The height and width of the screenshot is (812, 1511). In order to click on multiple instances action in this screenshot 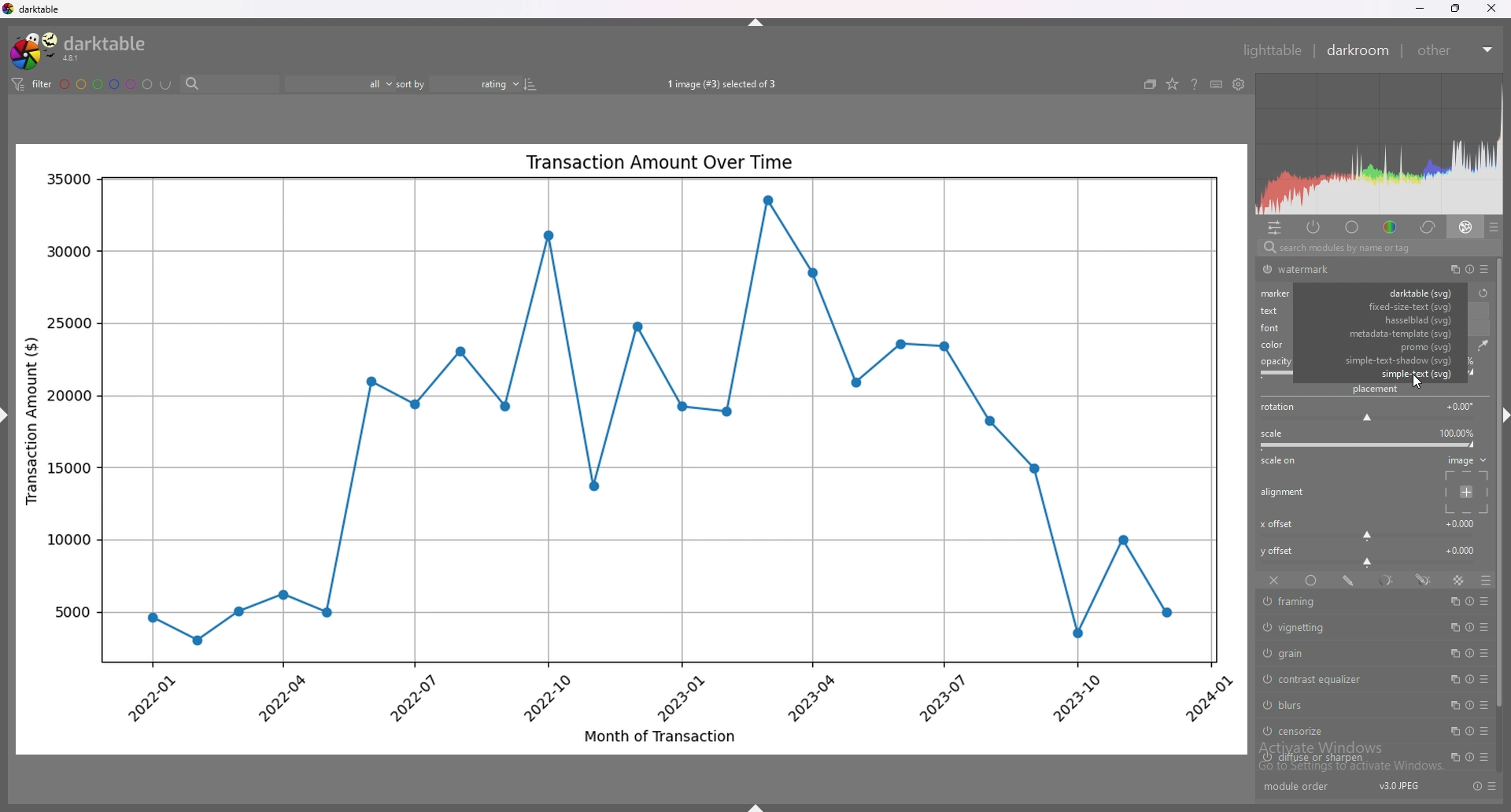, I will do `click(1453, 705)`.